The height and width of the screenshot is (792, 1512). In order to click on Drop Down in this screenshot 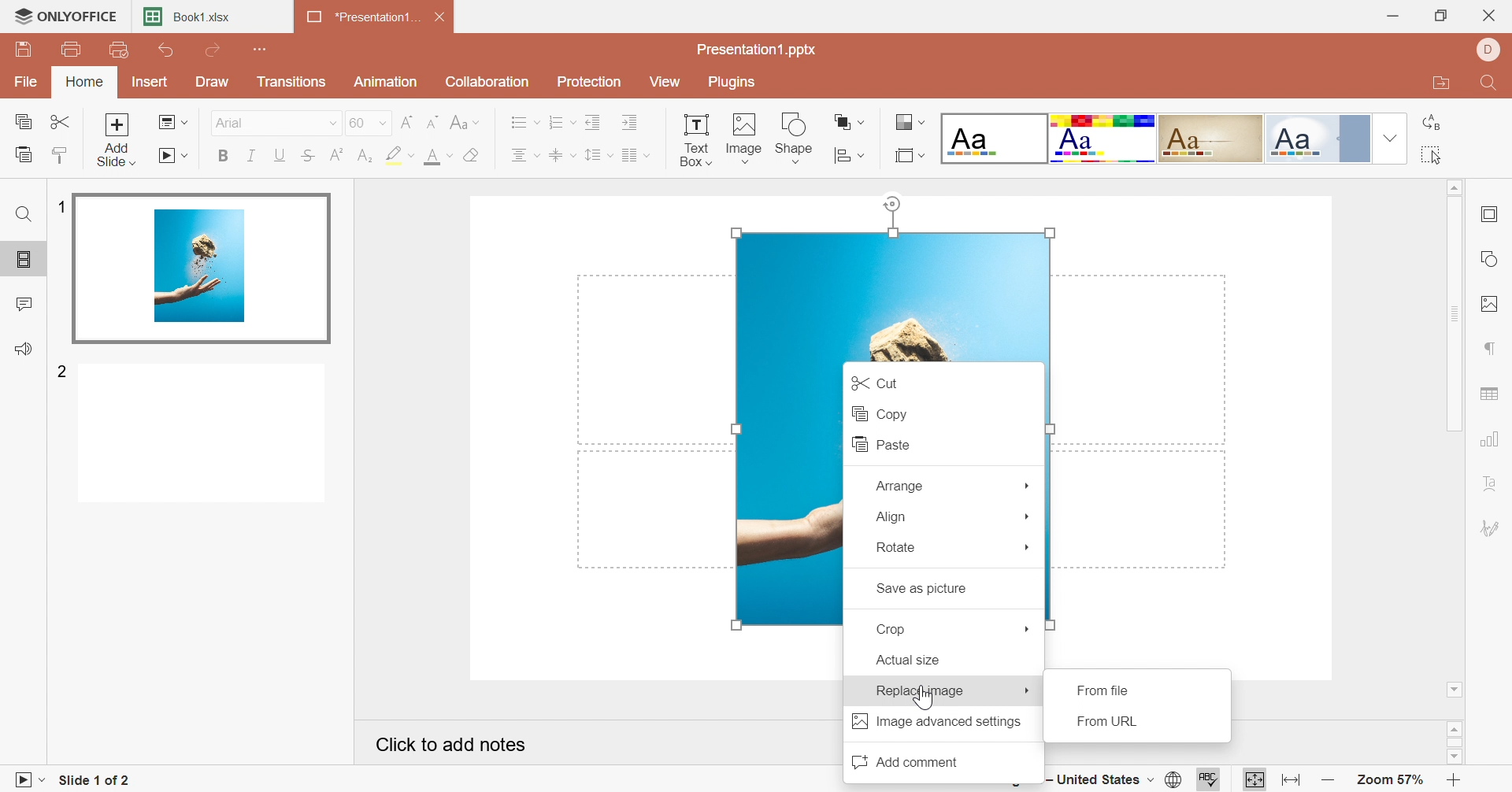, I will do `click(1028, 628)`.